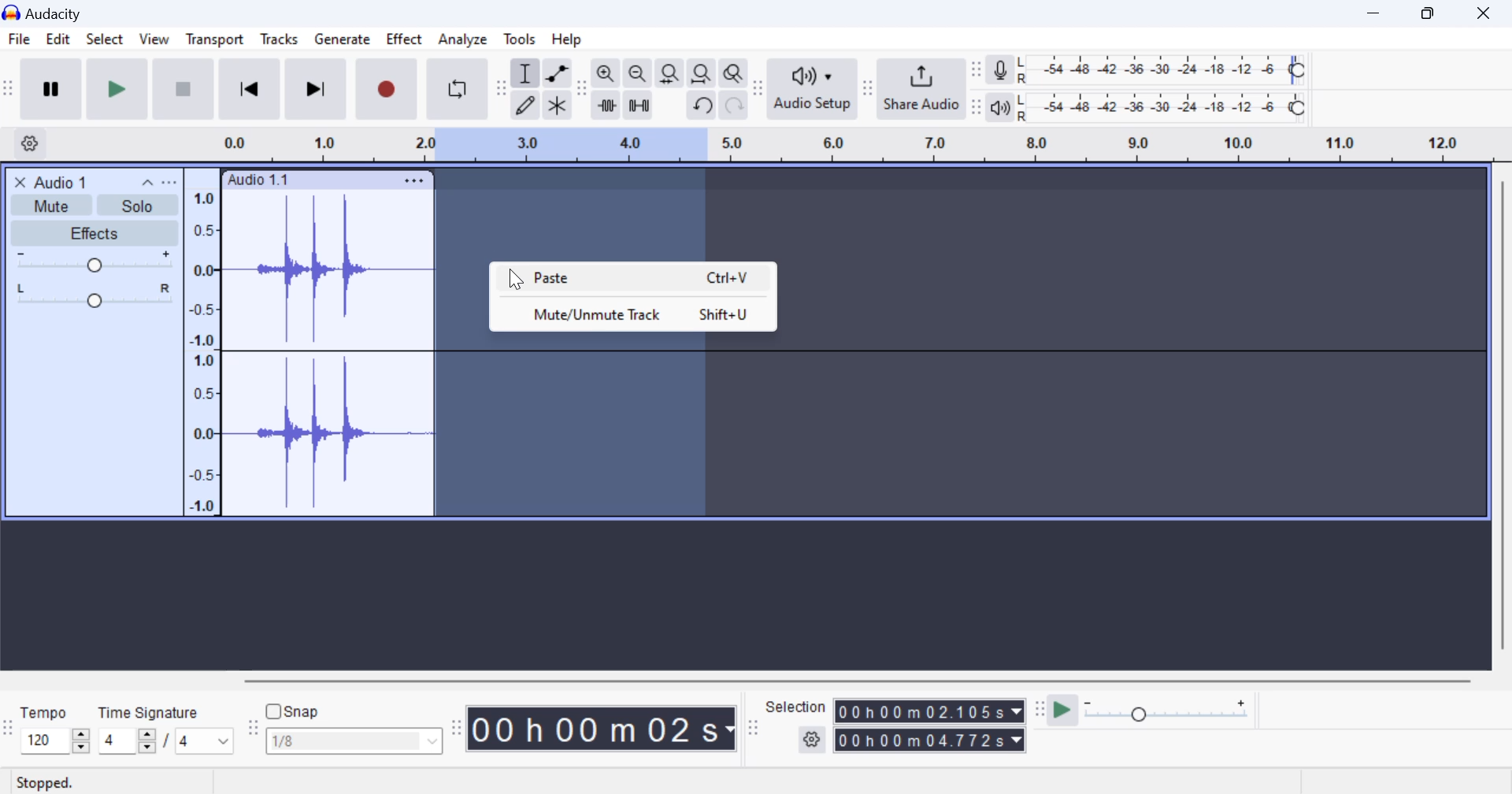  Describe the element at coordinates (1001, 107) in the screenshot. I see `playback meter` at that location.